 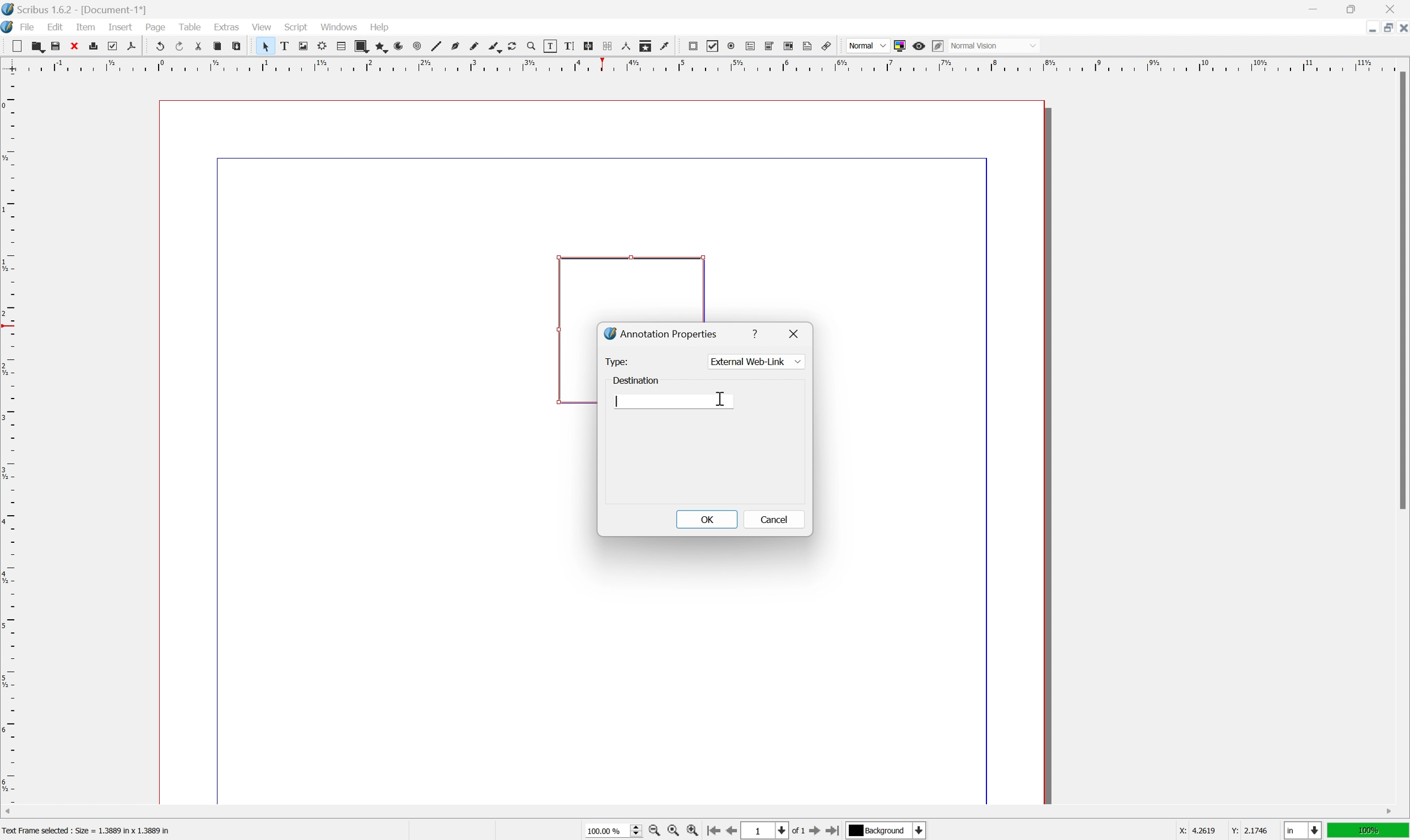 What do you see at coordinates (121, 27) in the screenshot?
I see `insert` at bounding box center [121, 27].